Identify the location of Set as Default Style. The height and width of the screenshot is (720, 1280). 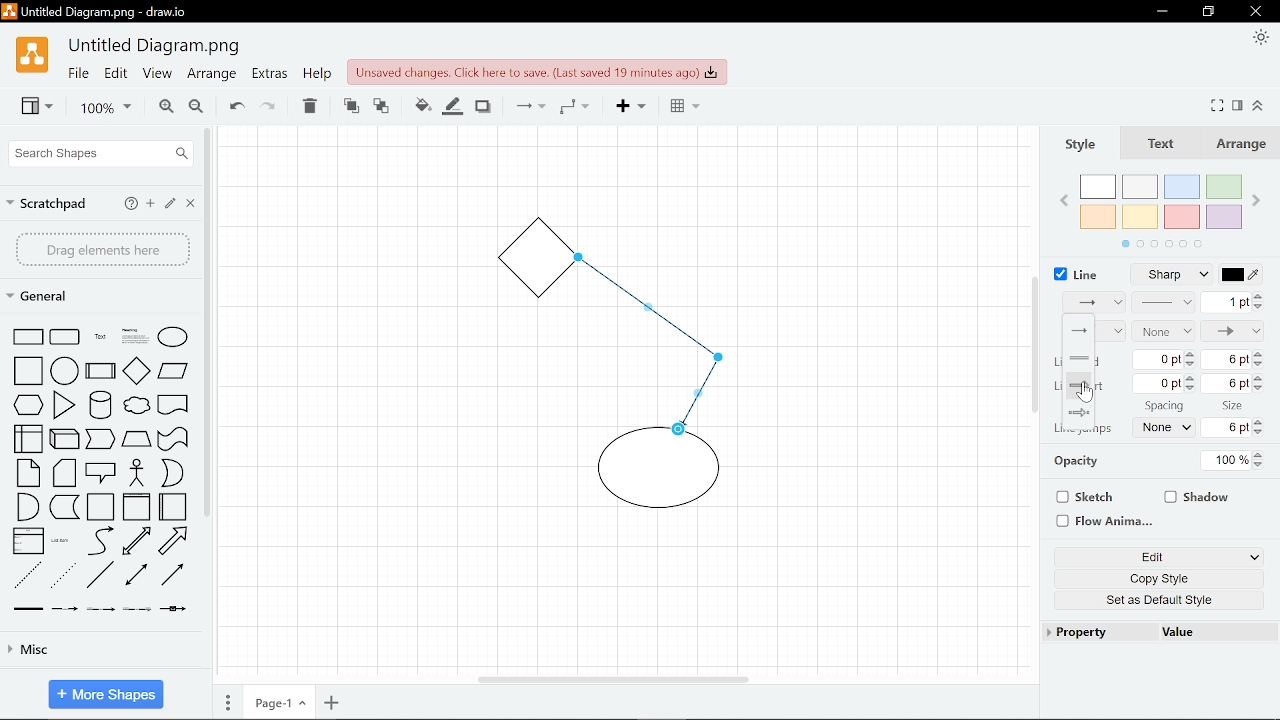
(1162, 603).